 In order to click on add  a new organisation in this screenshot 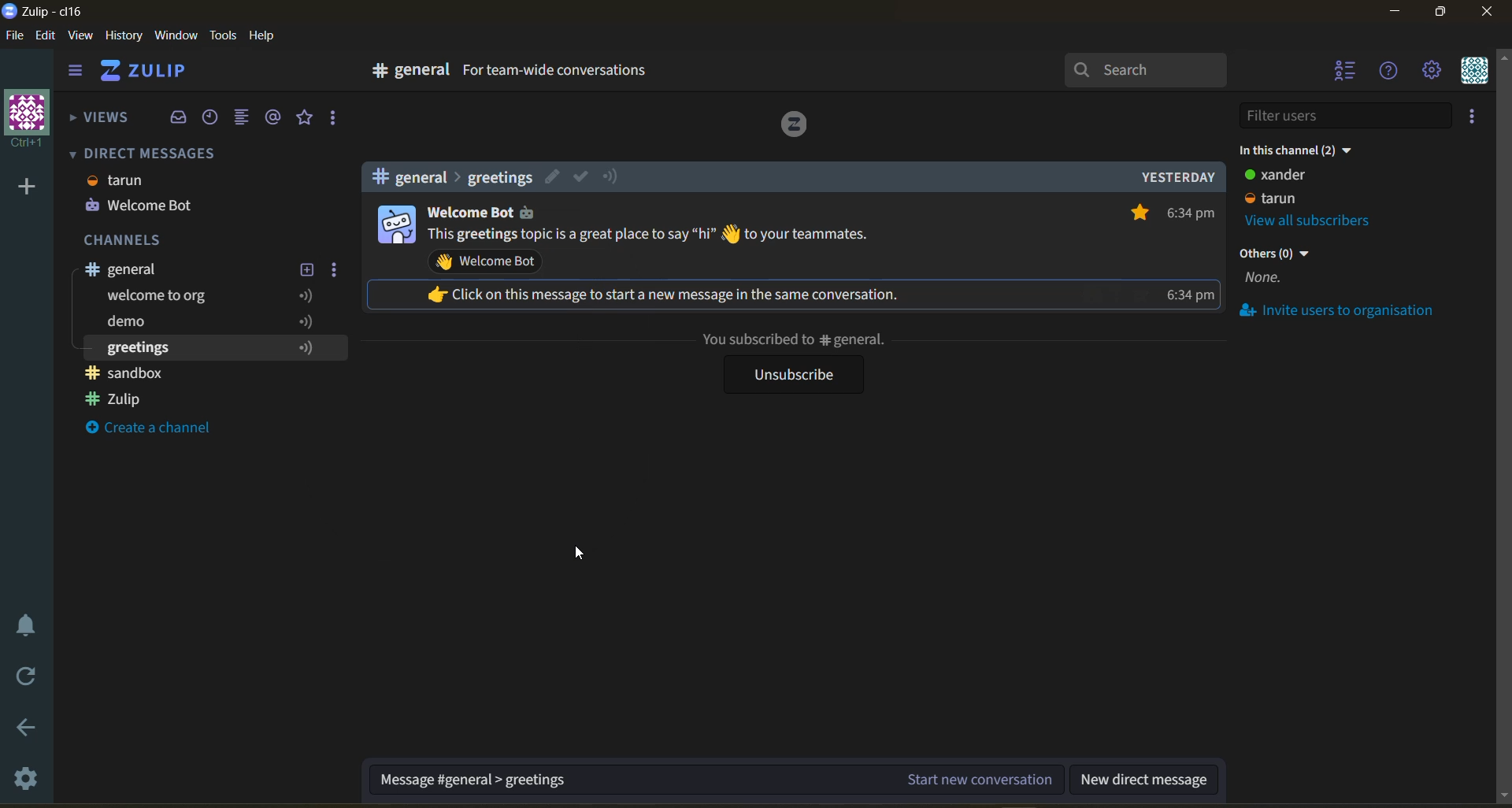, I will do `click(28, 191)`.